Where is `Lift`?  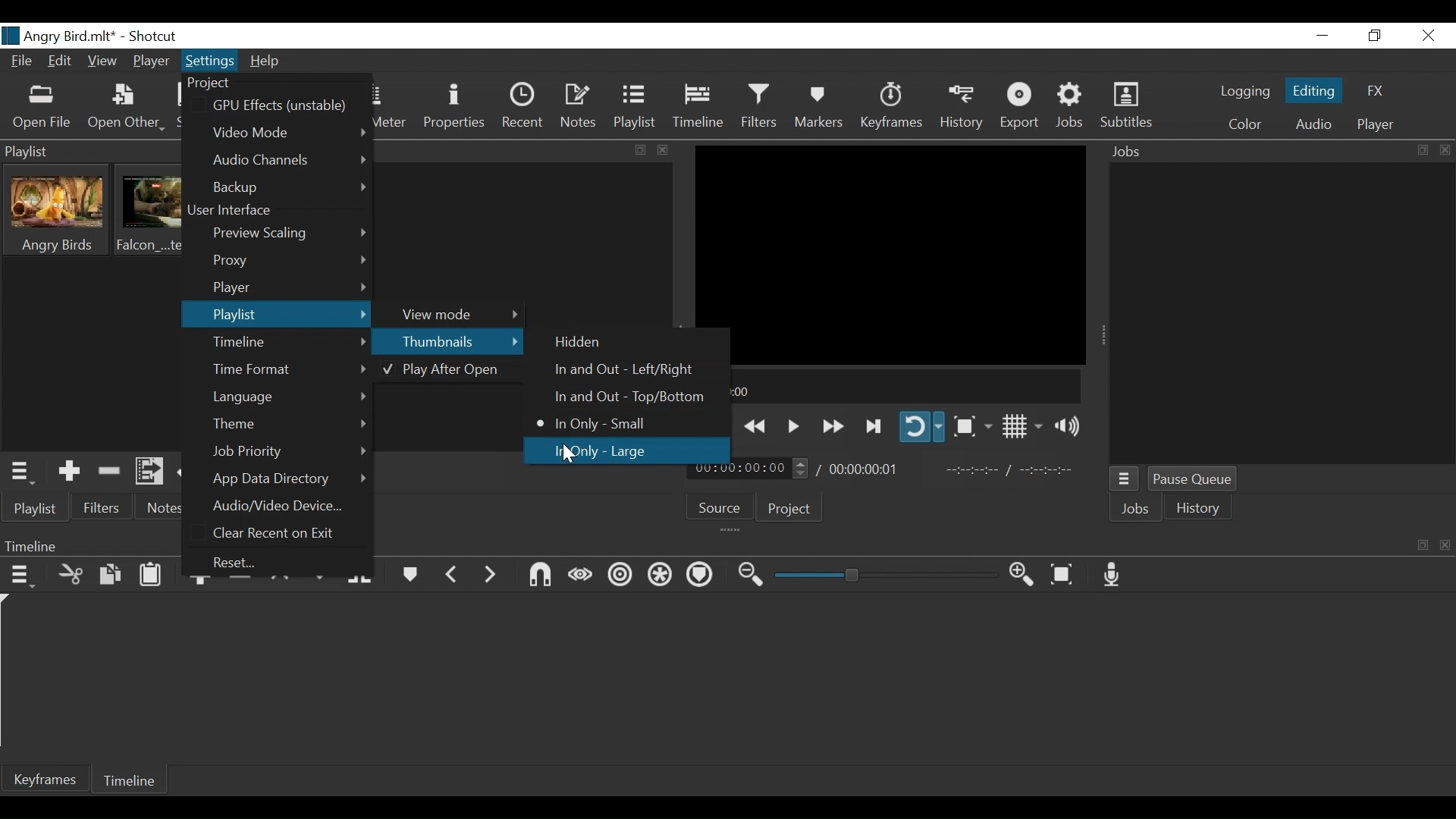 Lift is located at coordinates (283, 583).